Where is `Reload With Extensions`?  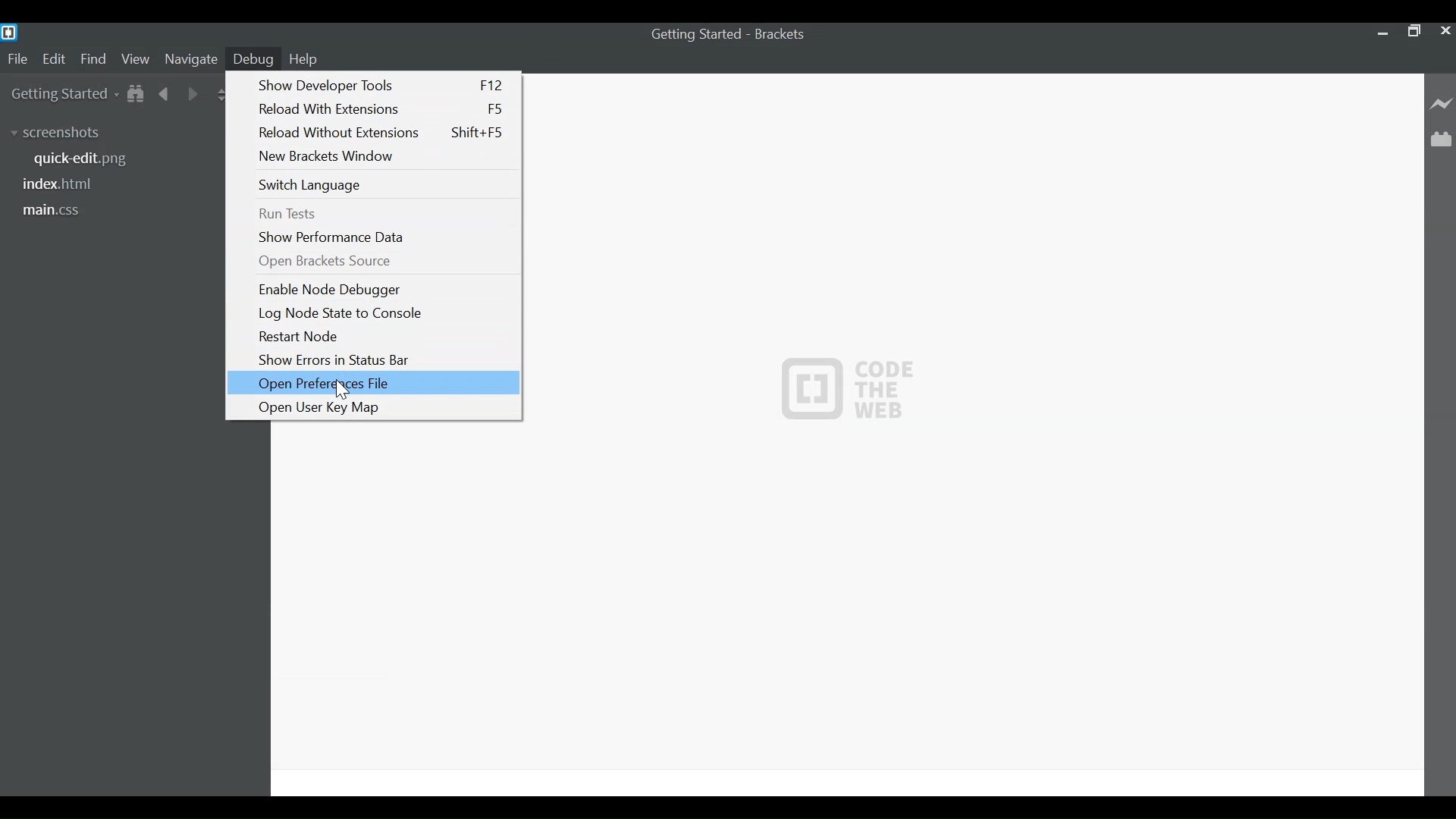
Reload With Extensions is located at coordinates (386, 108).